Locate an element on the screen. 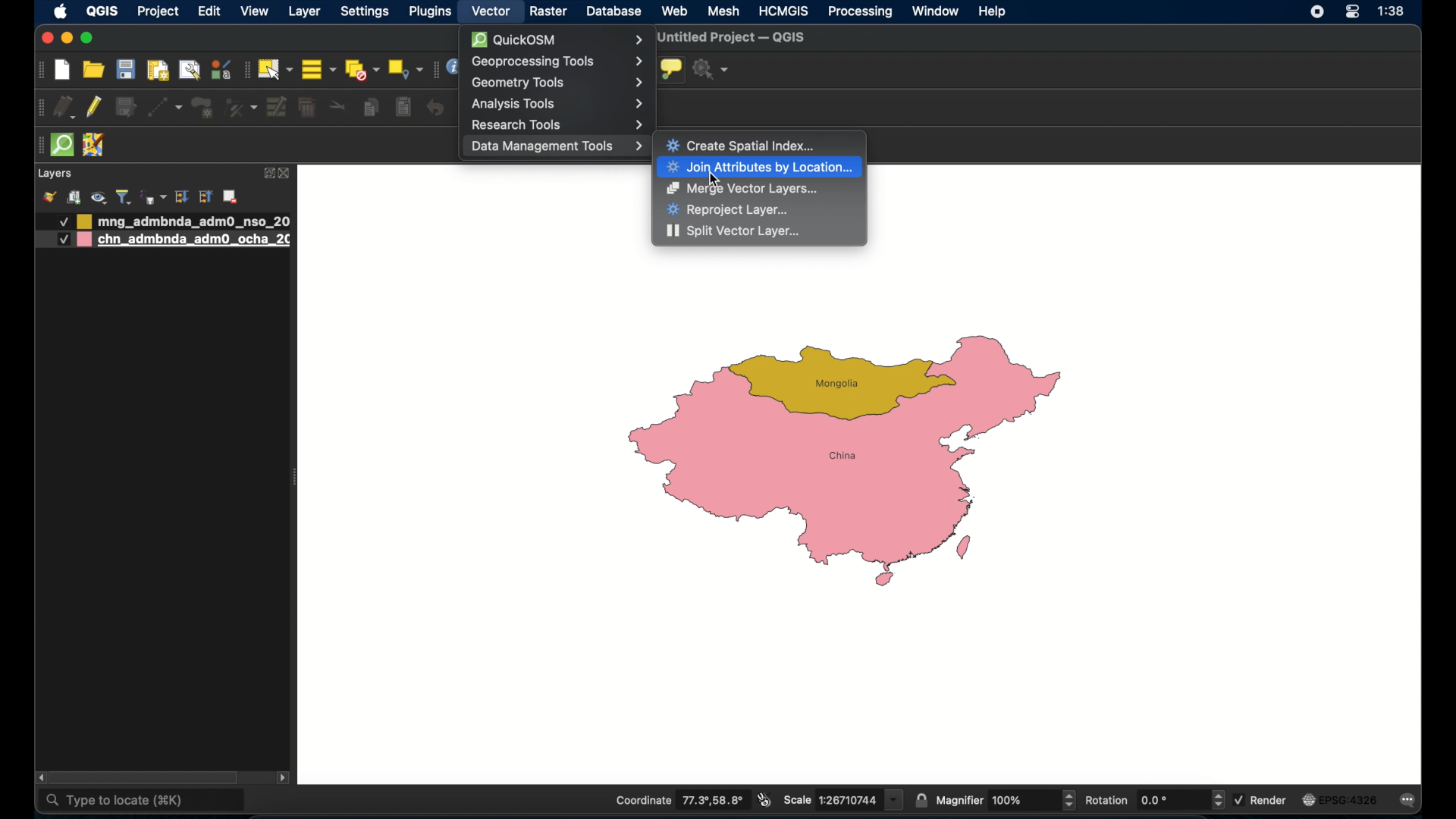  untitled project - QGIS is located at coordinates (730, 39).